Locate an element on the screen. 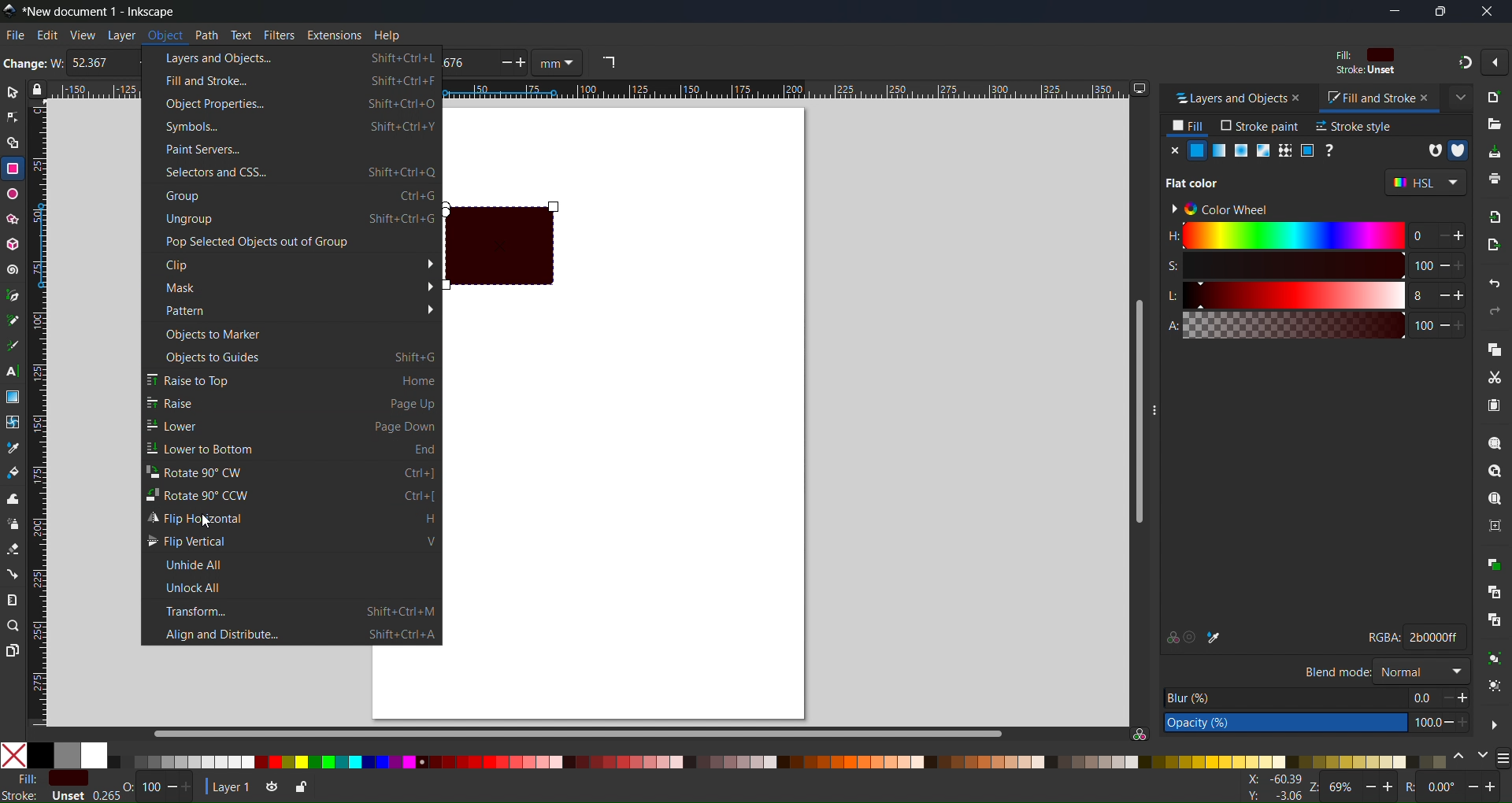  HSL Color is located at coordinates (1425, 183).